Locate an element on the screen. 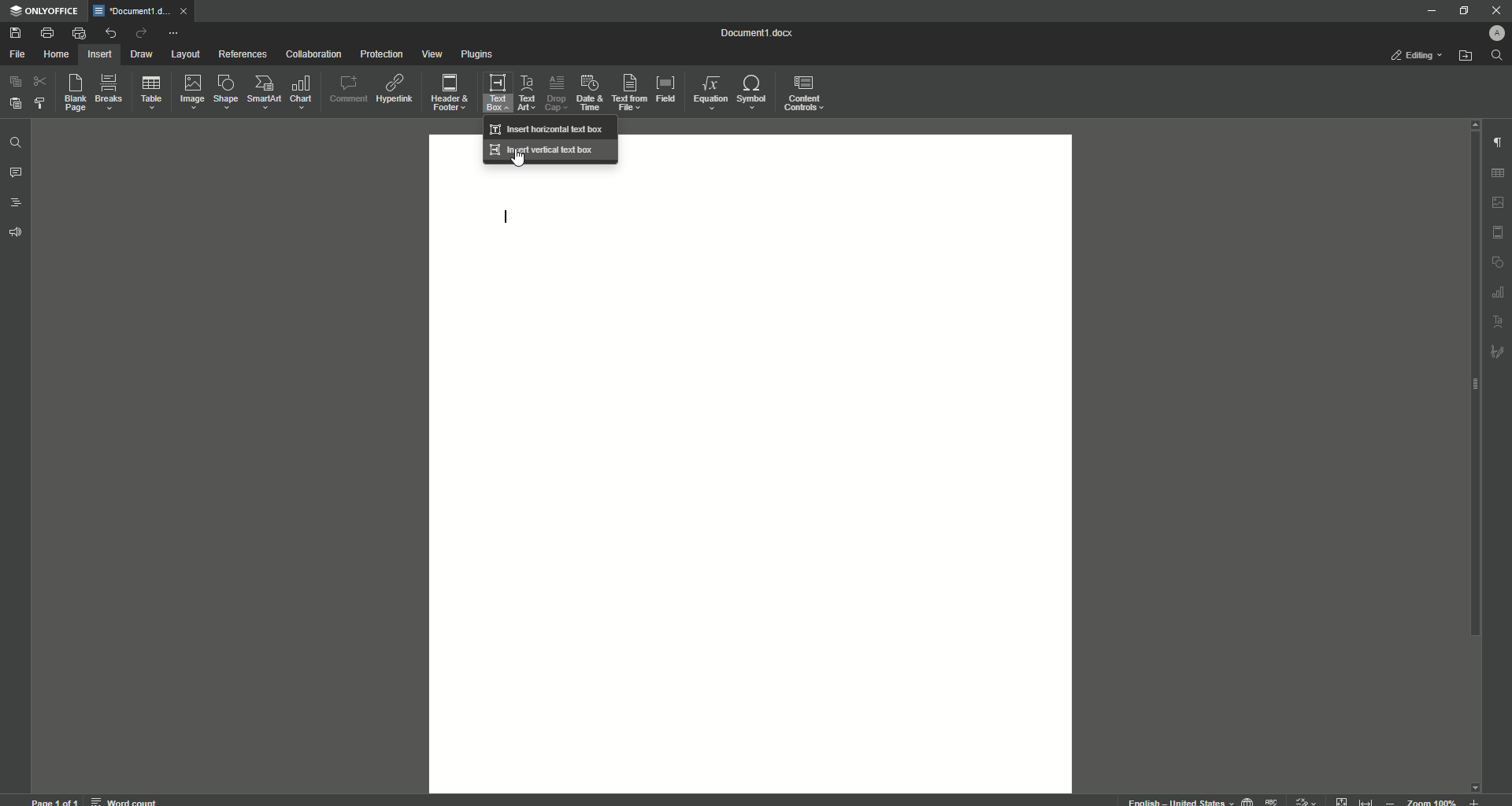 Image resolution: width=1512 pixels, height=806 pixels. Header and Footer is located at coordinates (448, 94).